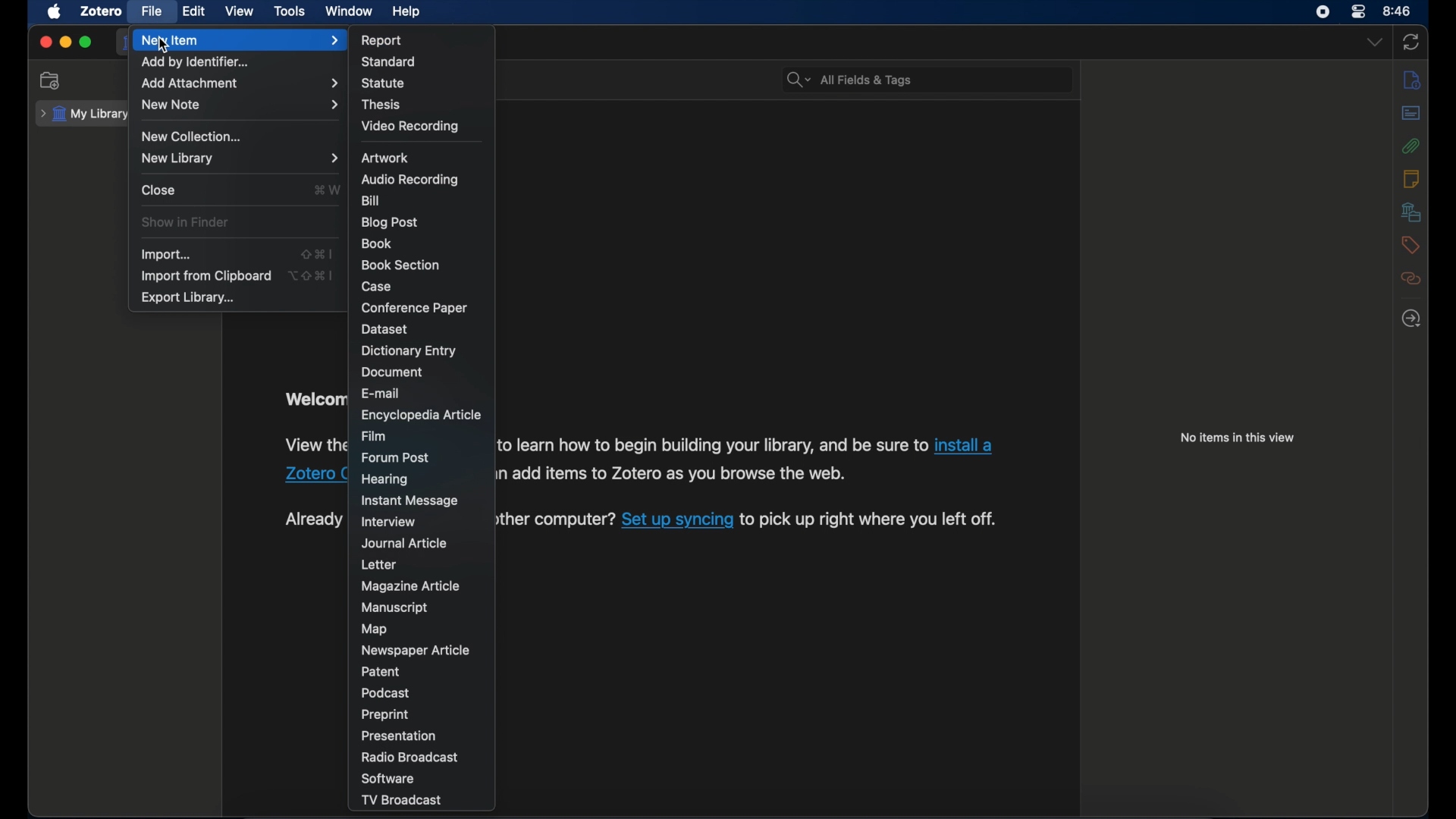  Describe the element at coordinates (414, 307) in the screenshot. I see `conference paper` at that location.